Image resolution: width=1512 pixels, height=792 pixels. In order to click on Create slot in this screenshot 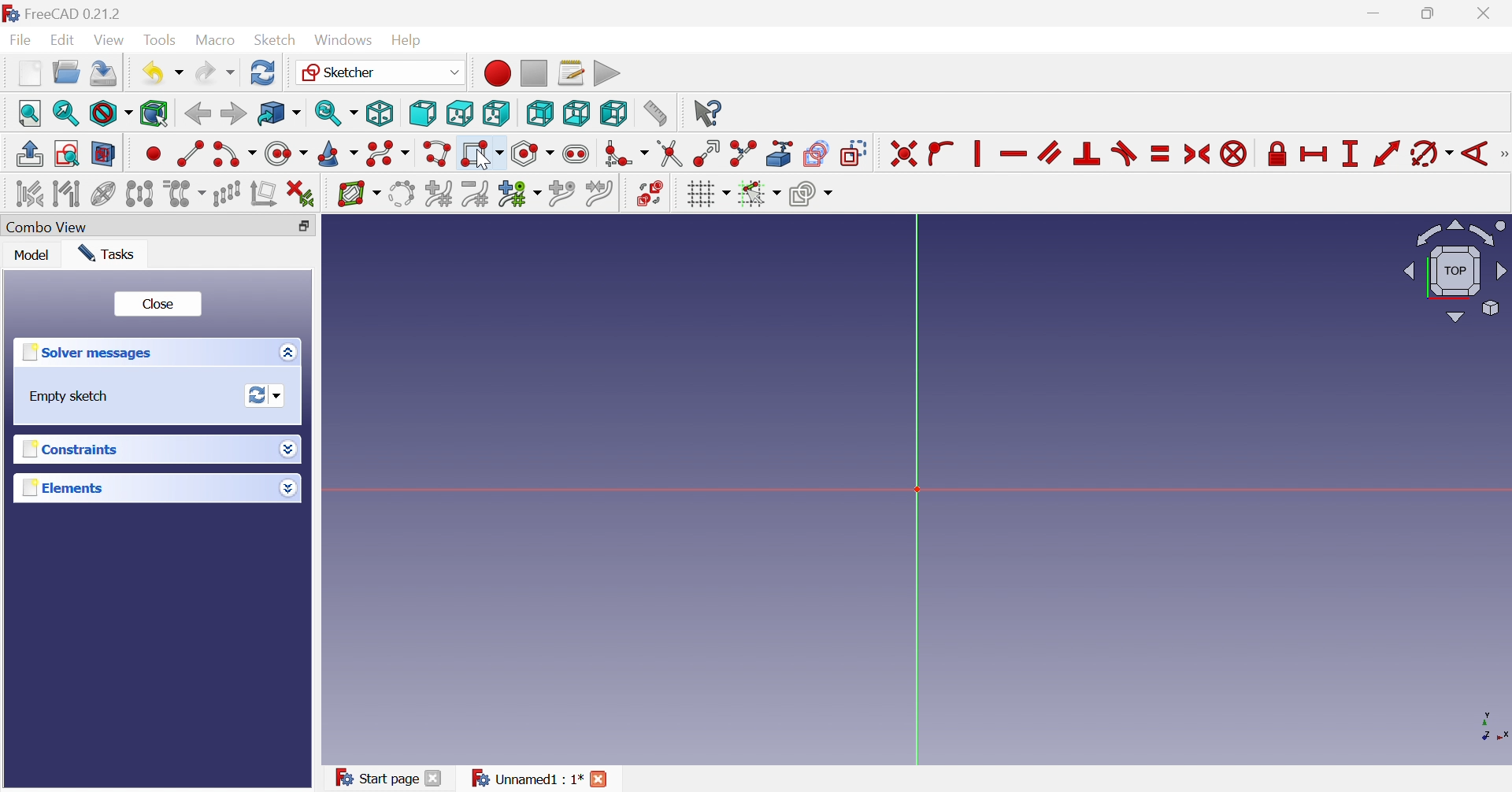, I will do `click(578, 154)`.